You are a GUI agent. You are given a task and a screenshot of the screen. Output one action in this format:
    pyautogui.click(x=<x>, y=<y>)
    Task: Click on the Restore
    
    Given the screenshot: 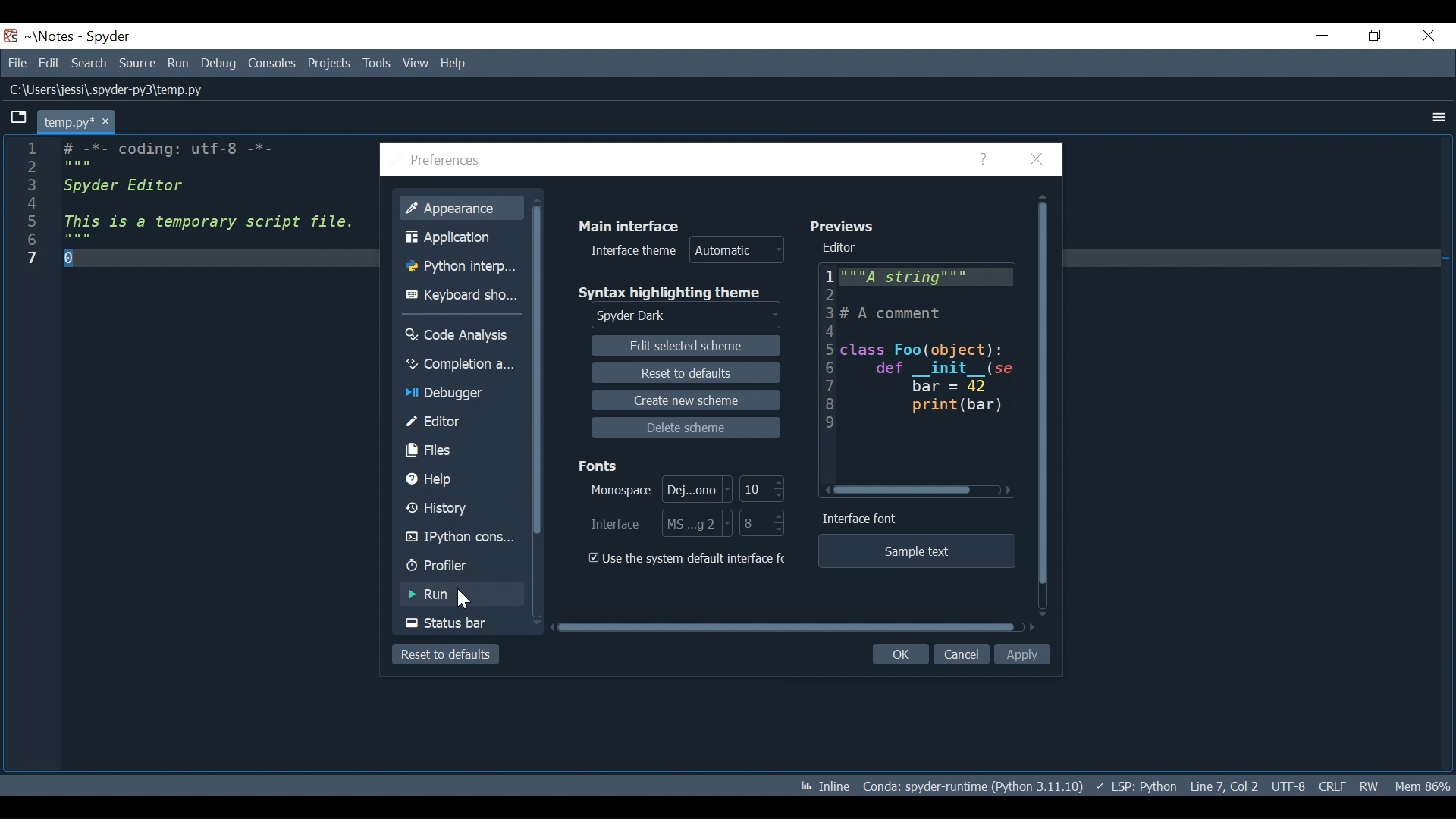 What is the action you would take?
    pyautogui.click(x=1373, y=35)
    